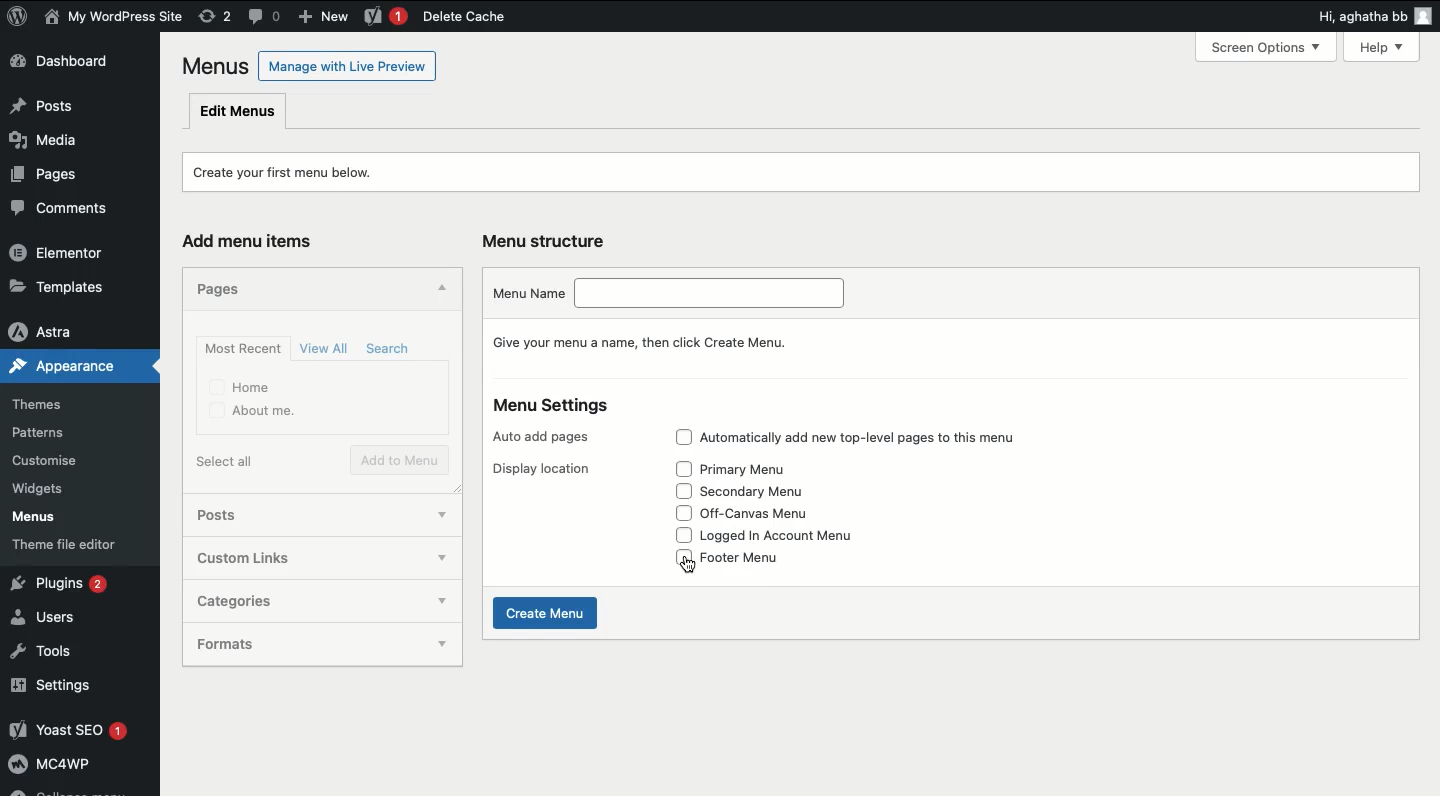 The image size is (1440, 796). Describe the element at coordinates (447, 647) in the screenshot. I see `Check box` at that location.